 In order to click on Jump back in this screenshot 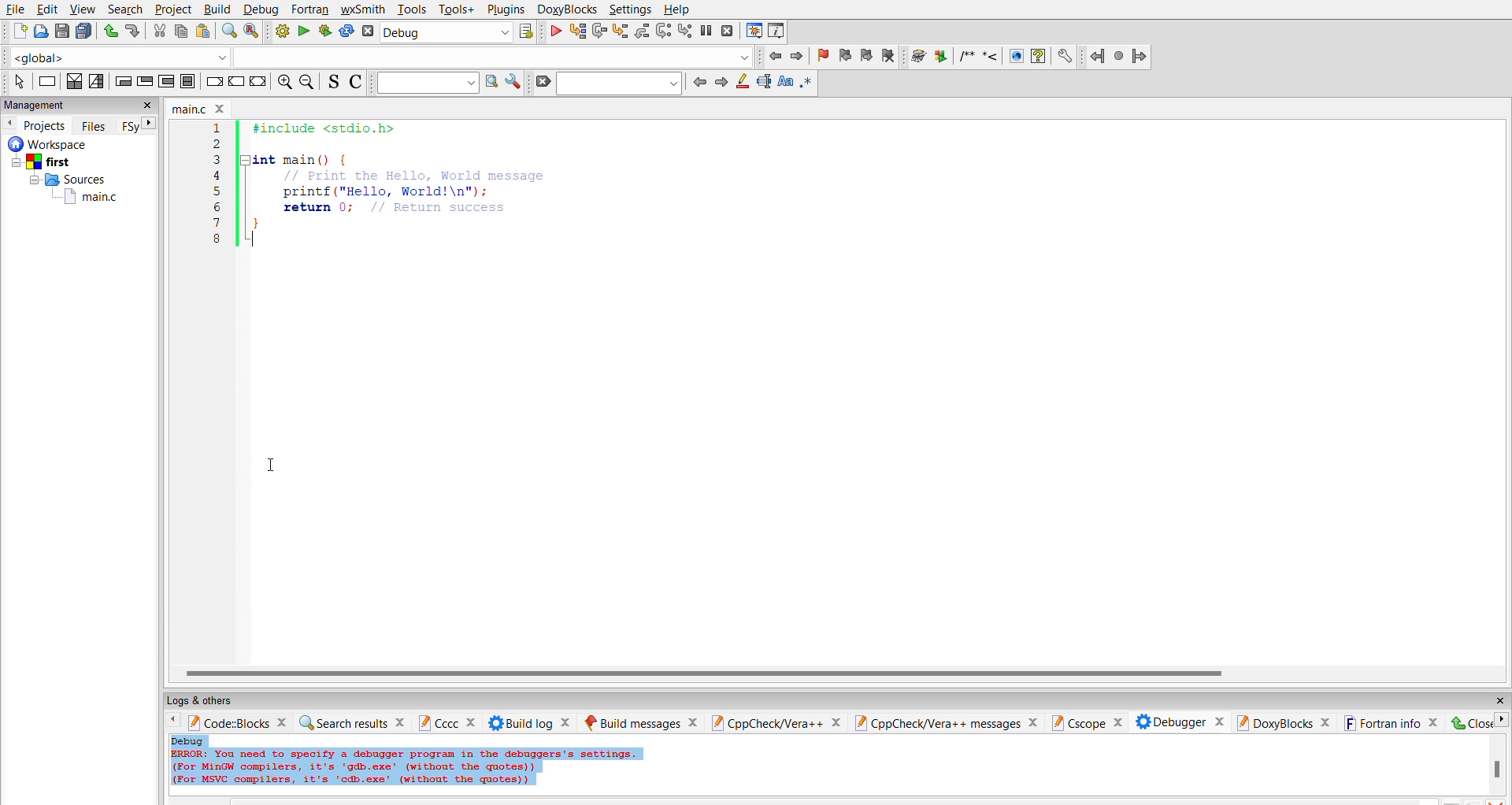, I will do `click(1095, 56)`.